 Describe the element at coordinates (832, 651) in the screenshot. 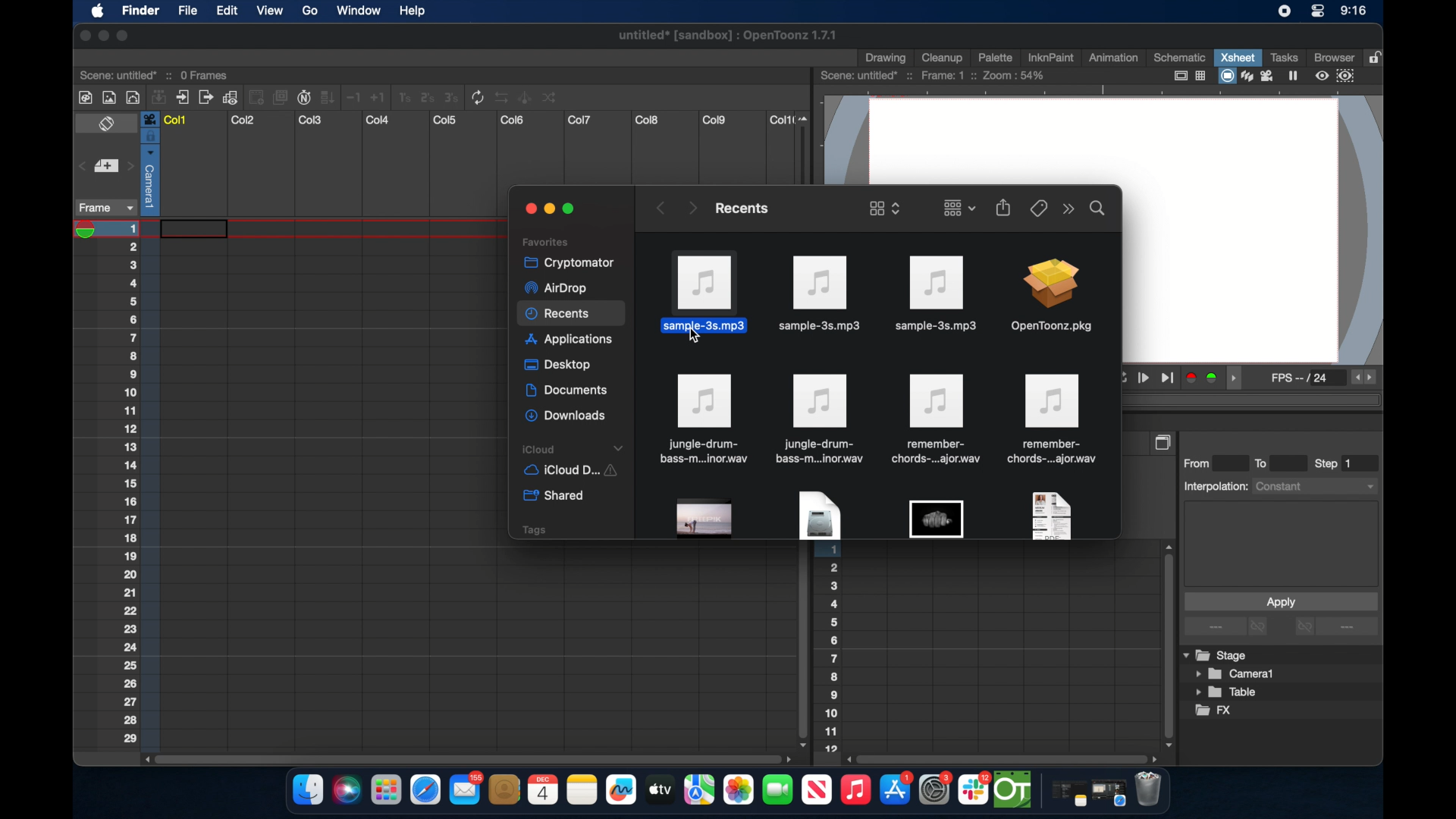

I see `numbering` at that location.